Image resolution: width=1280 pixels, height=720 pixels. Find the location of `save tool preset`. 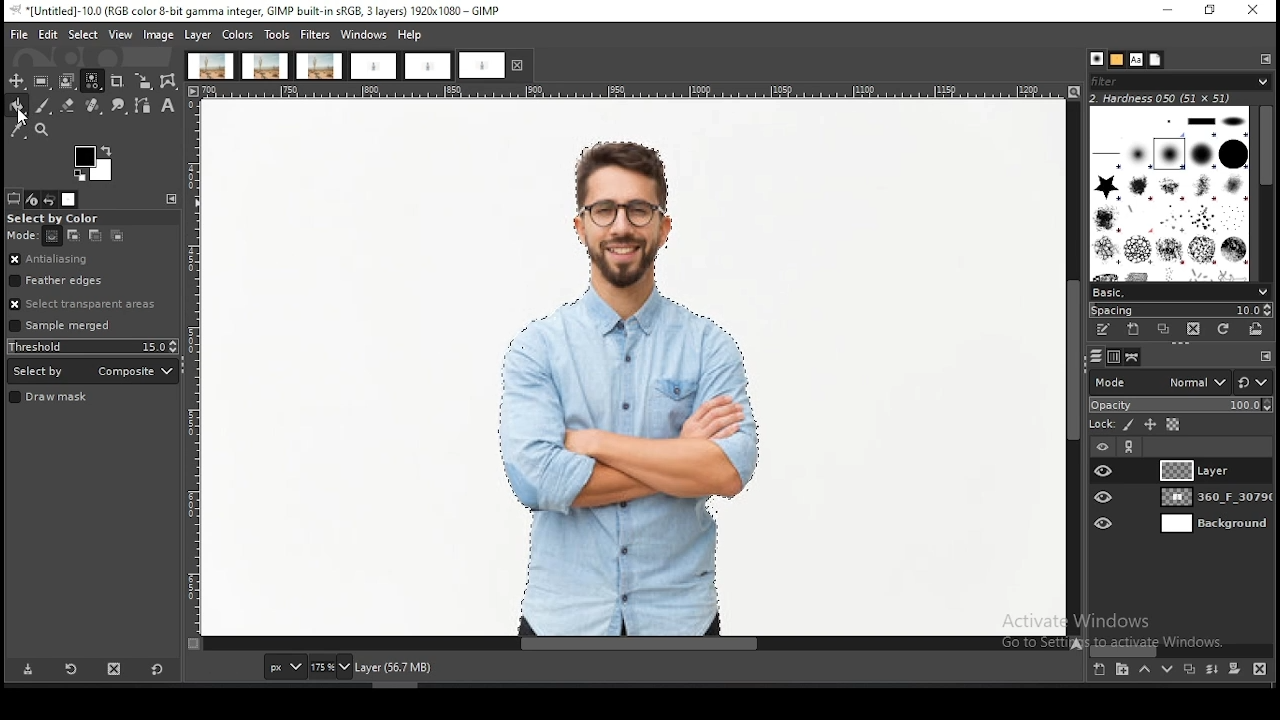

save tool preset is located at coordinates (27, 669).